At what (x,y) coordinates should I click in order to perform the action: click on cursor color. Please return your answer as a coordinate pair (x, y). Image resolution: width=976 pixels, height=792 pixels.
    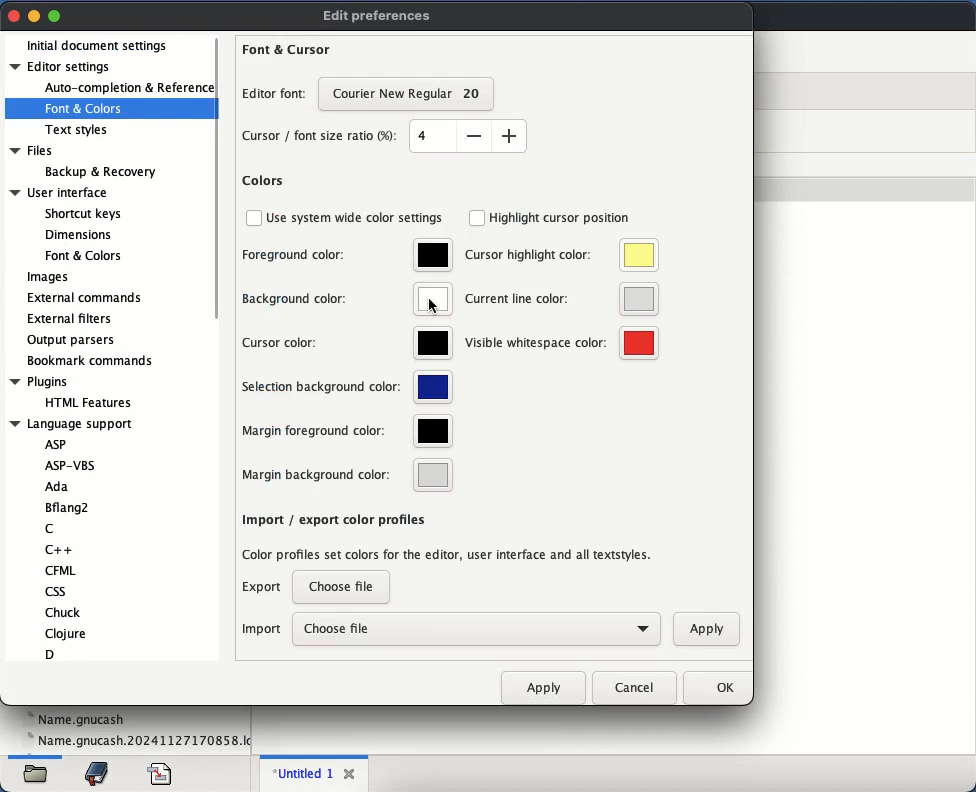
    Looking at the image, I should click on (348, 344).